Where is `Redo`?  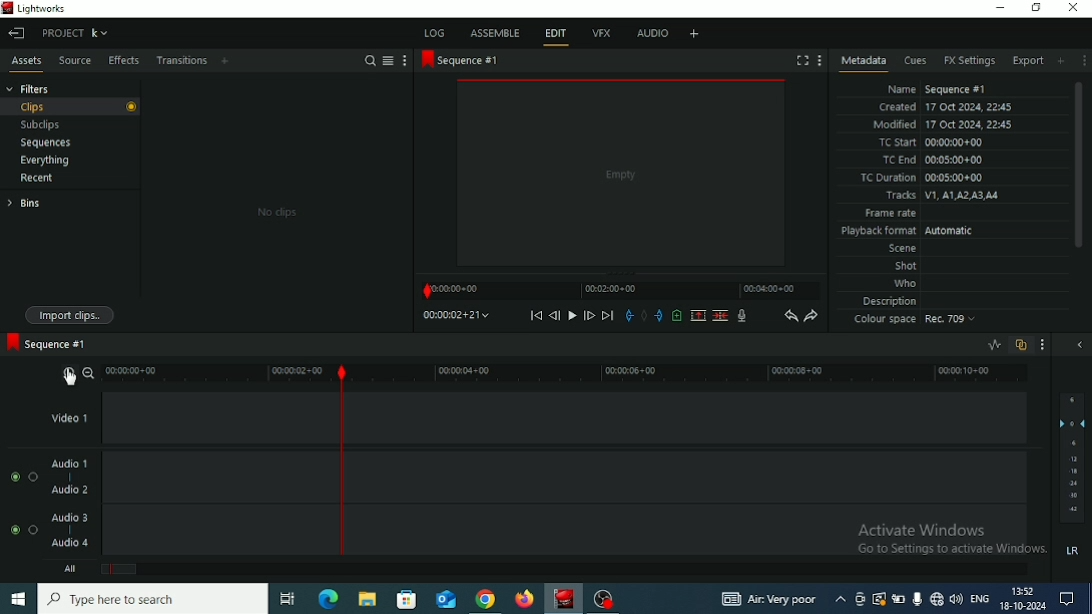
Redo is located at coordinates (811, 317).